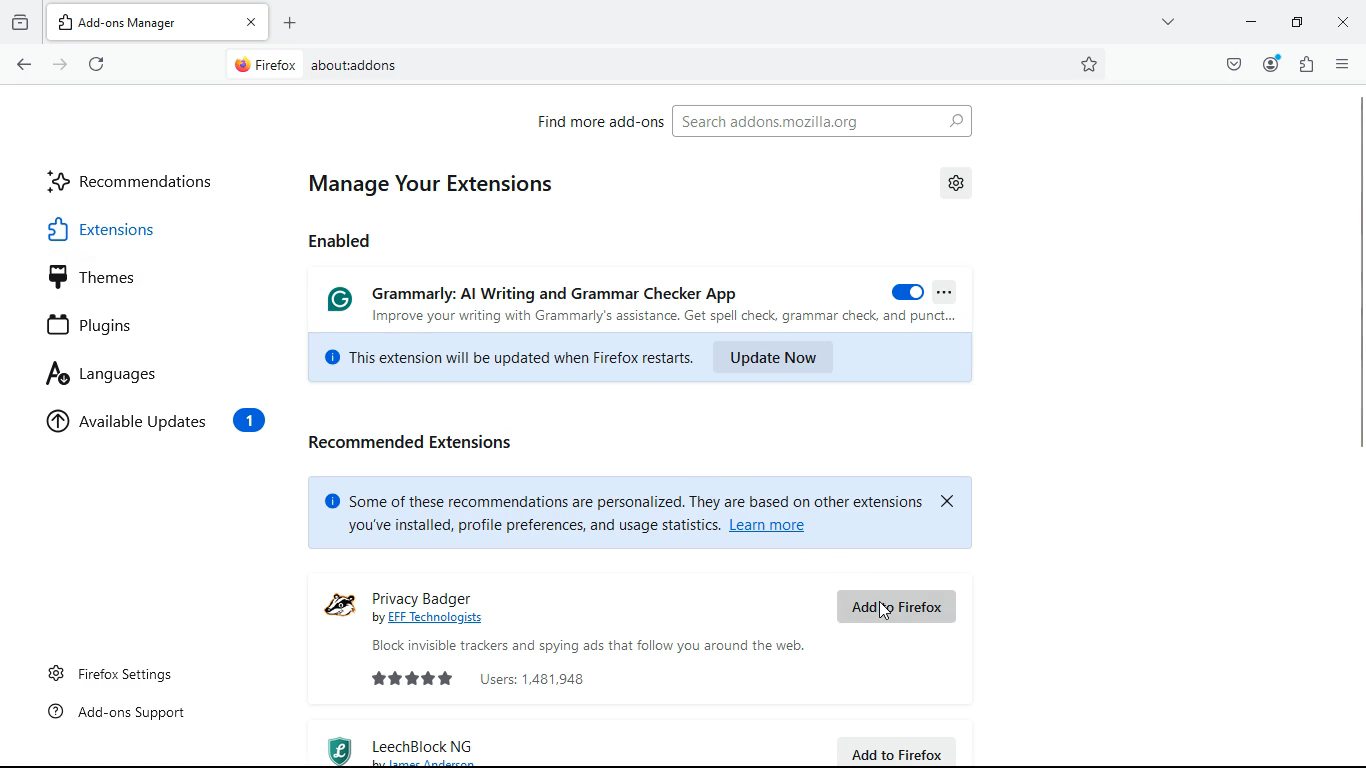  What do you see at coordinates (149, 323) in the screenshot?
I see `plugins` at bounding box center [149, 323].